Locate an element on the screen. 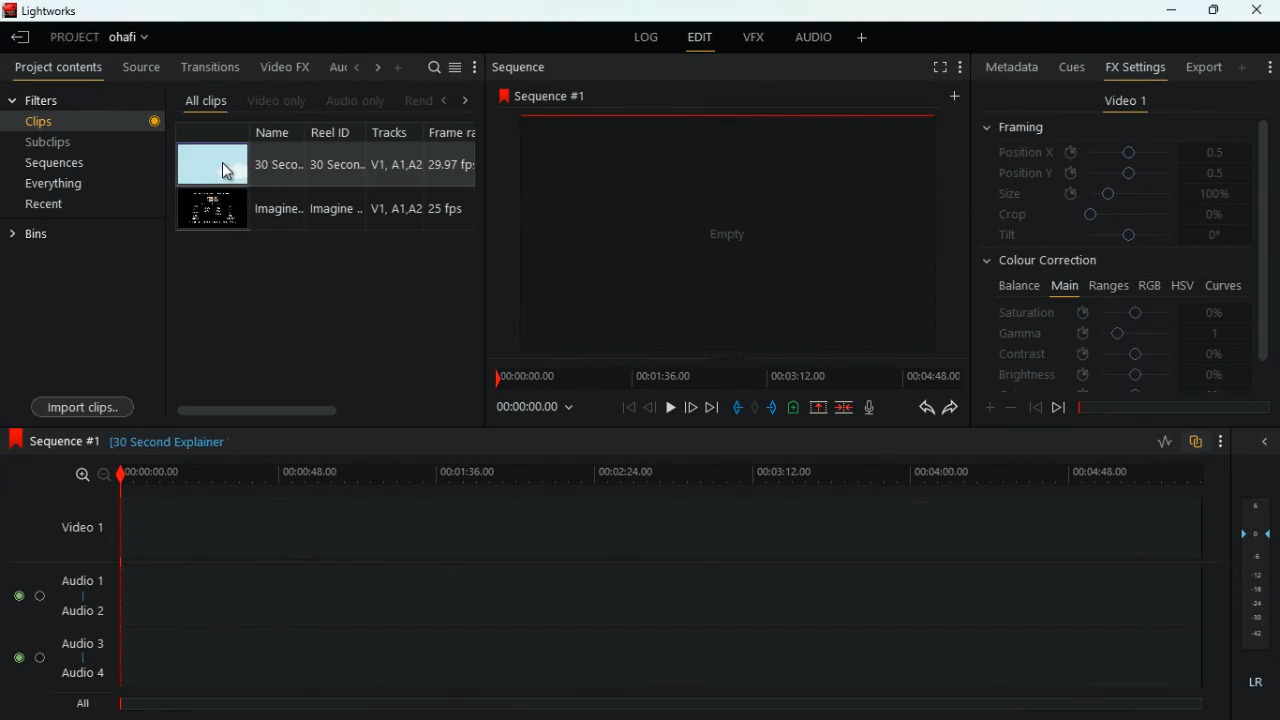 The image size is (1280, 720). subclips is located at coordinates (54, 141).